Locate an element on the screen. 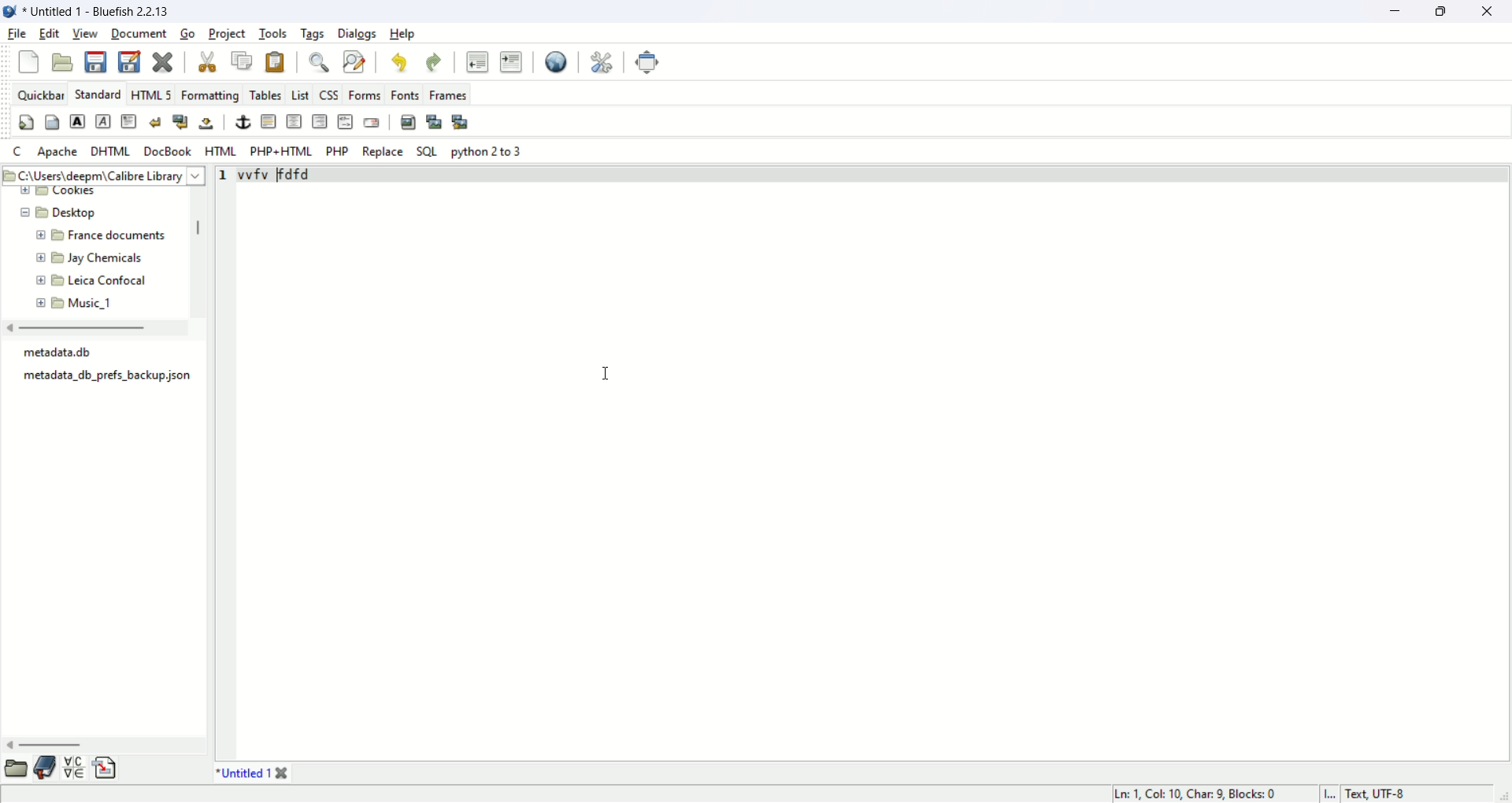 Image resolution: width=1512 pixels, height=803 pixels. metadata.db metadata_db,_prefs_backup json is located at coordinates (105, 368).